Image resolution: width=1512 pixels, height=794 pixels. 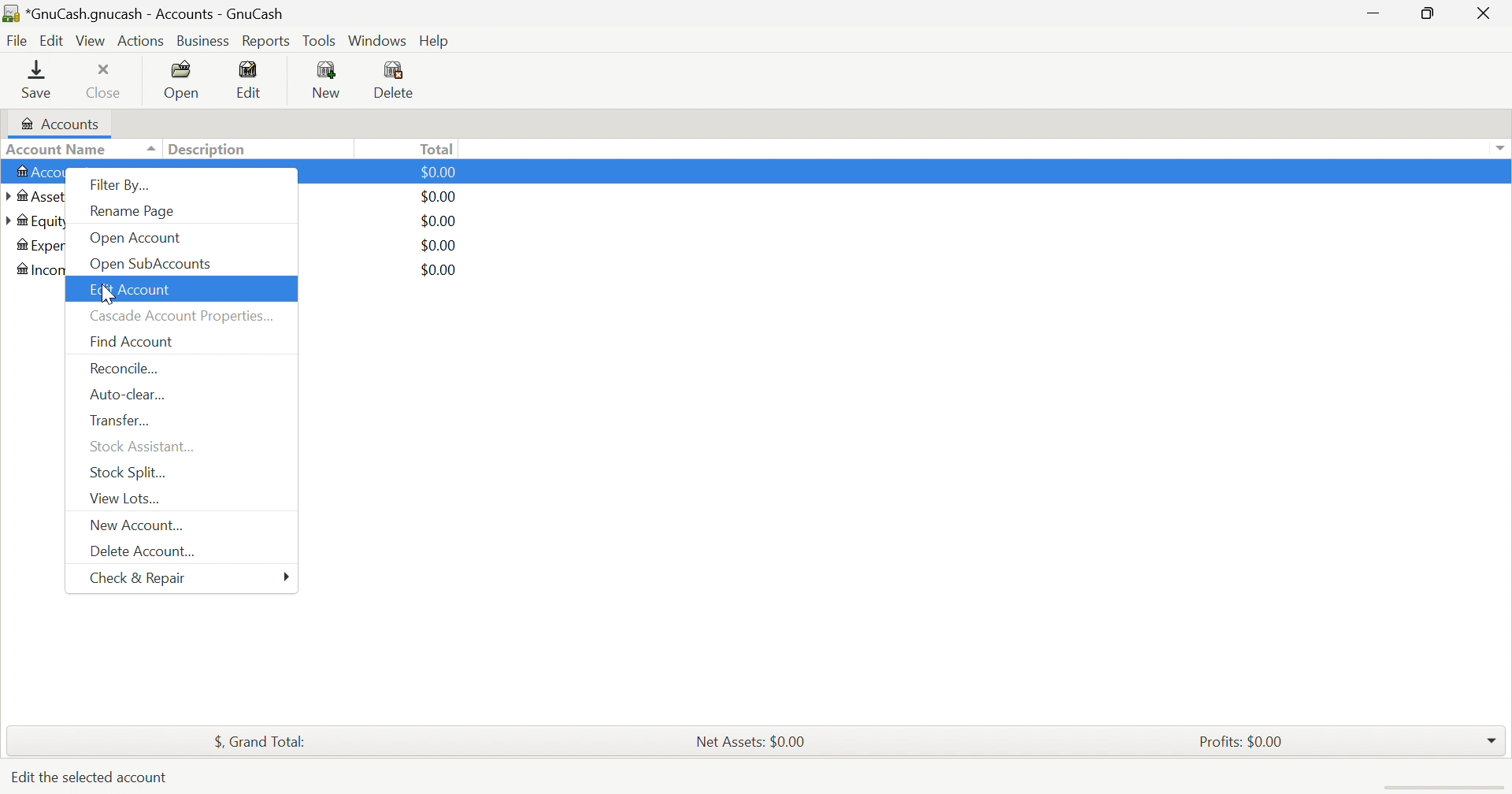 What do you see at coordinates (17, 41) in the screenshot?
I see `File` at bounding box center [17, 41].